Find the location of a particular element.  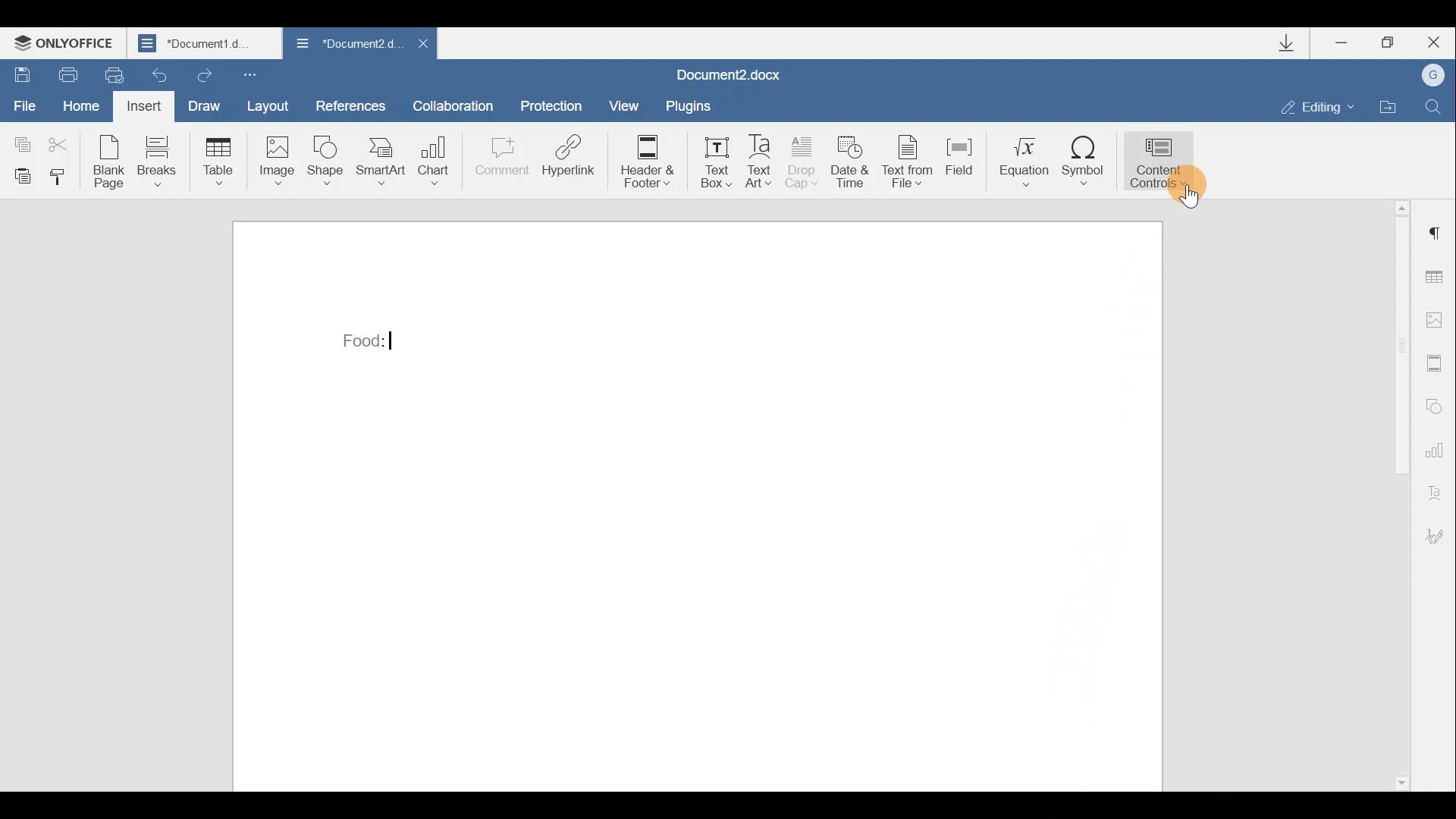

Save is located at coordinates (17, 73).